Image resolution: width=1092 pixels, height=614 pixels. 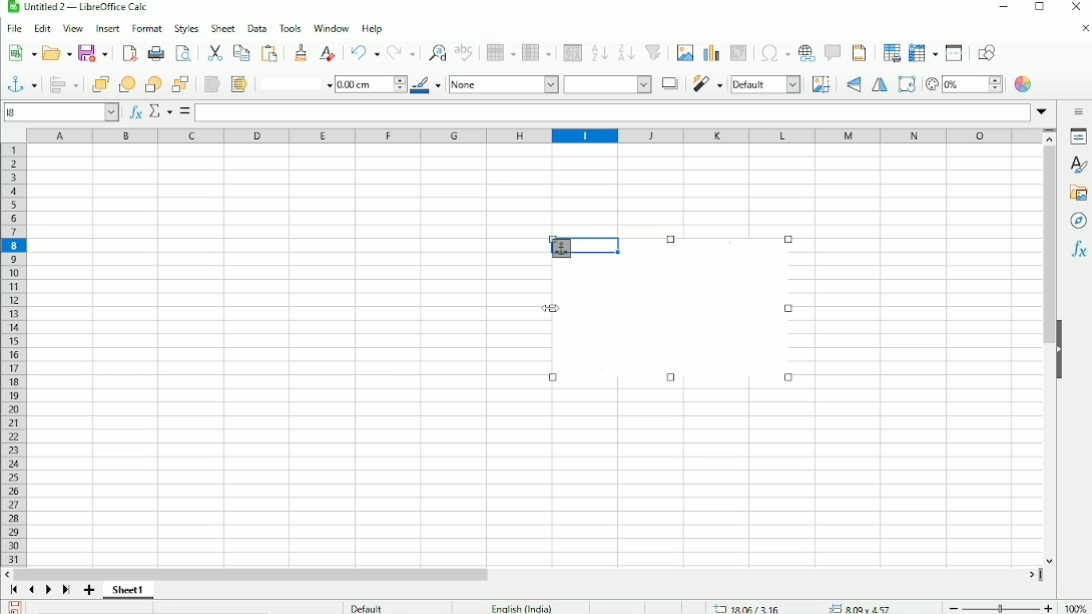 I want to click on Redo, so click(x=402, y=53).